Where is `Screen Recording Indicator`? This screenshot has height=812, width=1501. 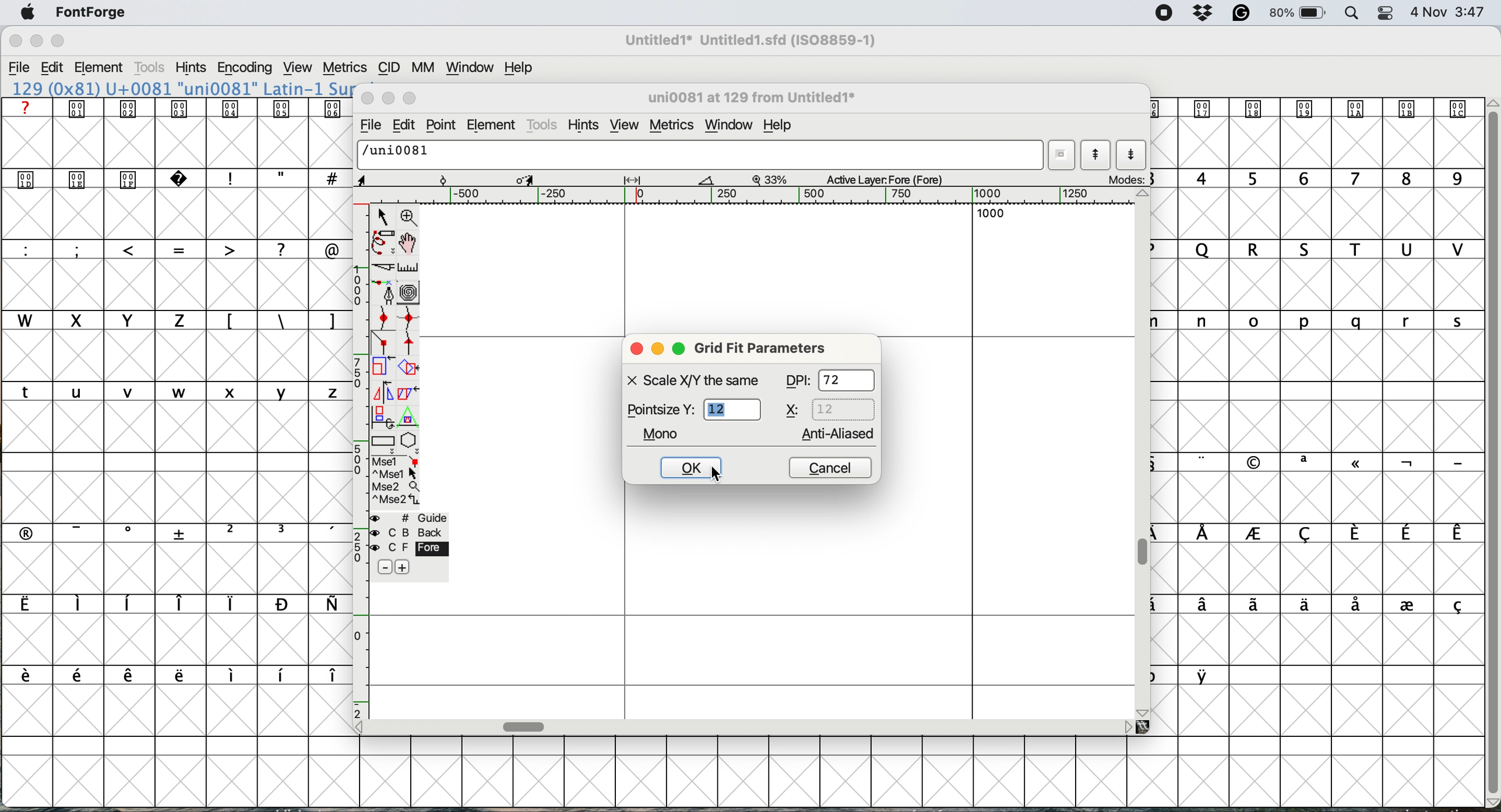
Screen Recording Indicator is located at coordinates (1164, 13).